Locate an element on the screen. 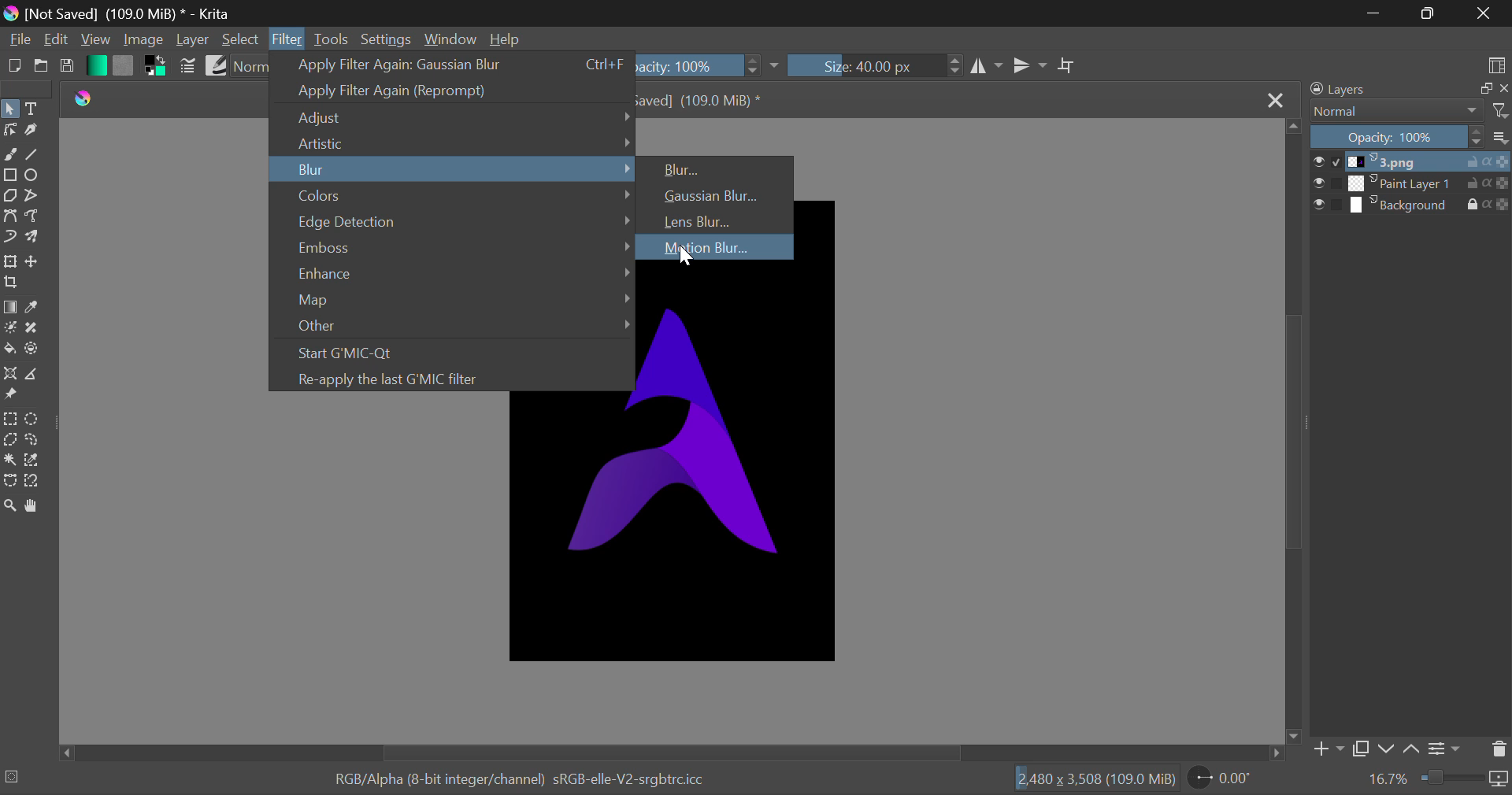 This screenshot has height=795, width=1512. Emboss is located at coordinates (454, 246).